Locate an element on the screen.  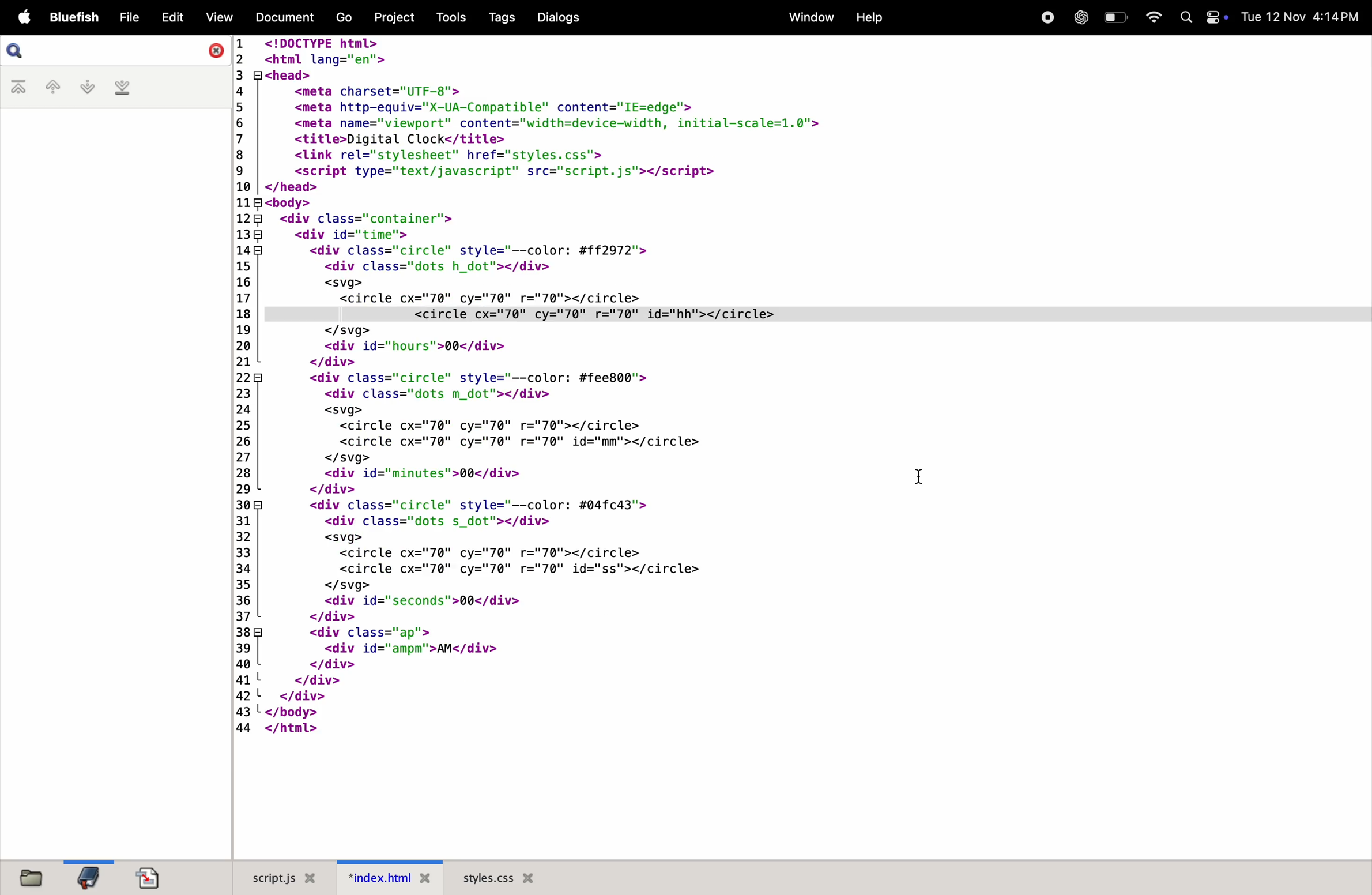
script.js is located at coordinates (283, 877).